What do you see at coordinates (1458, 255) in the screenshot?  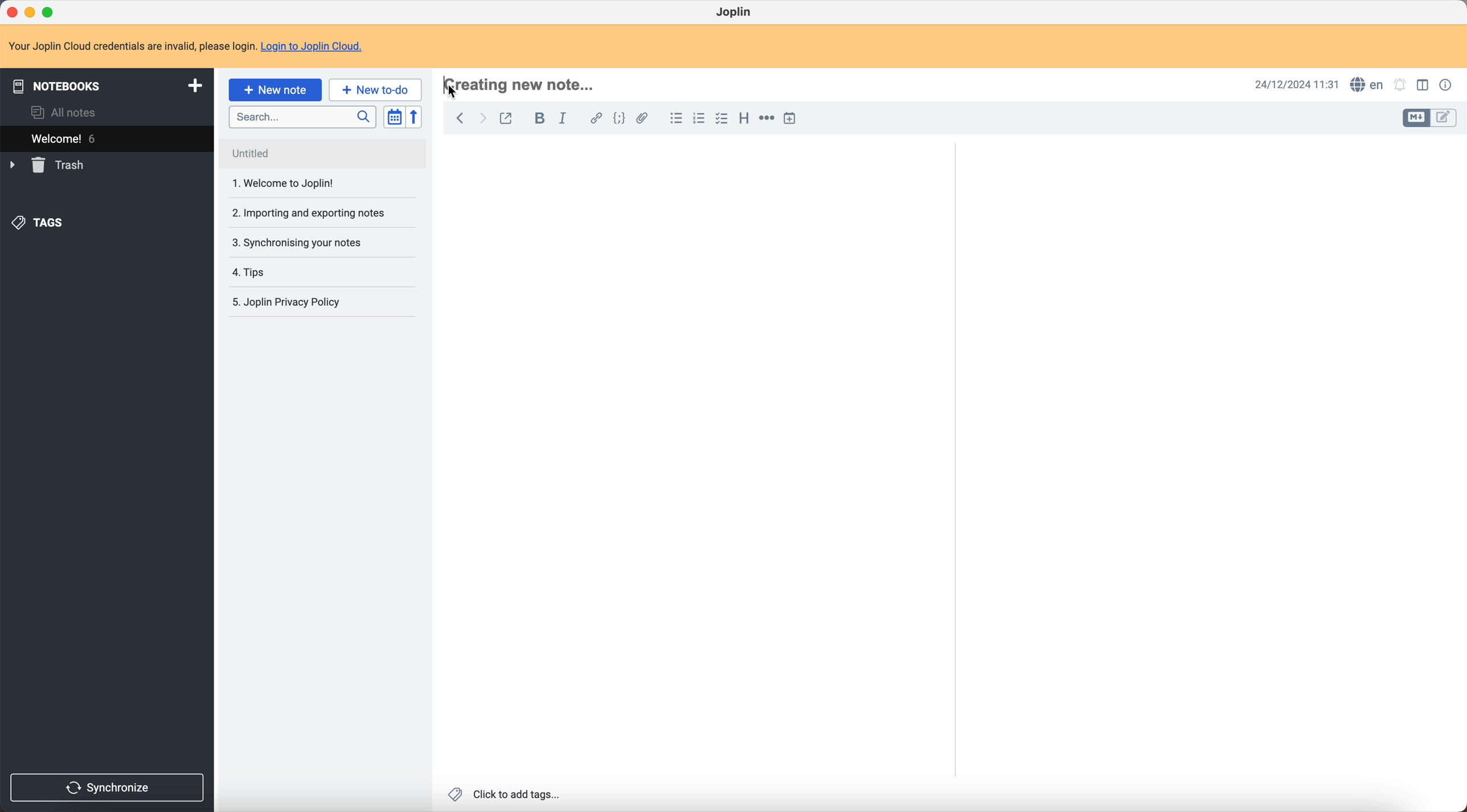 I see `scroll bar` at bounding box center [1458, 255].